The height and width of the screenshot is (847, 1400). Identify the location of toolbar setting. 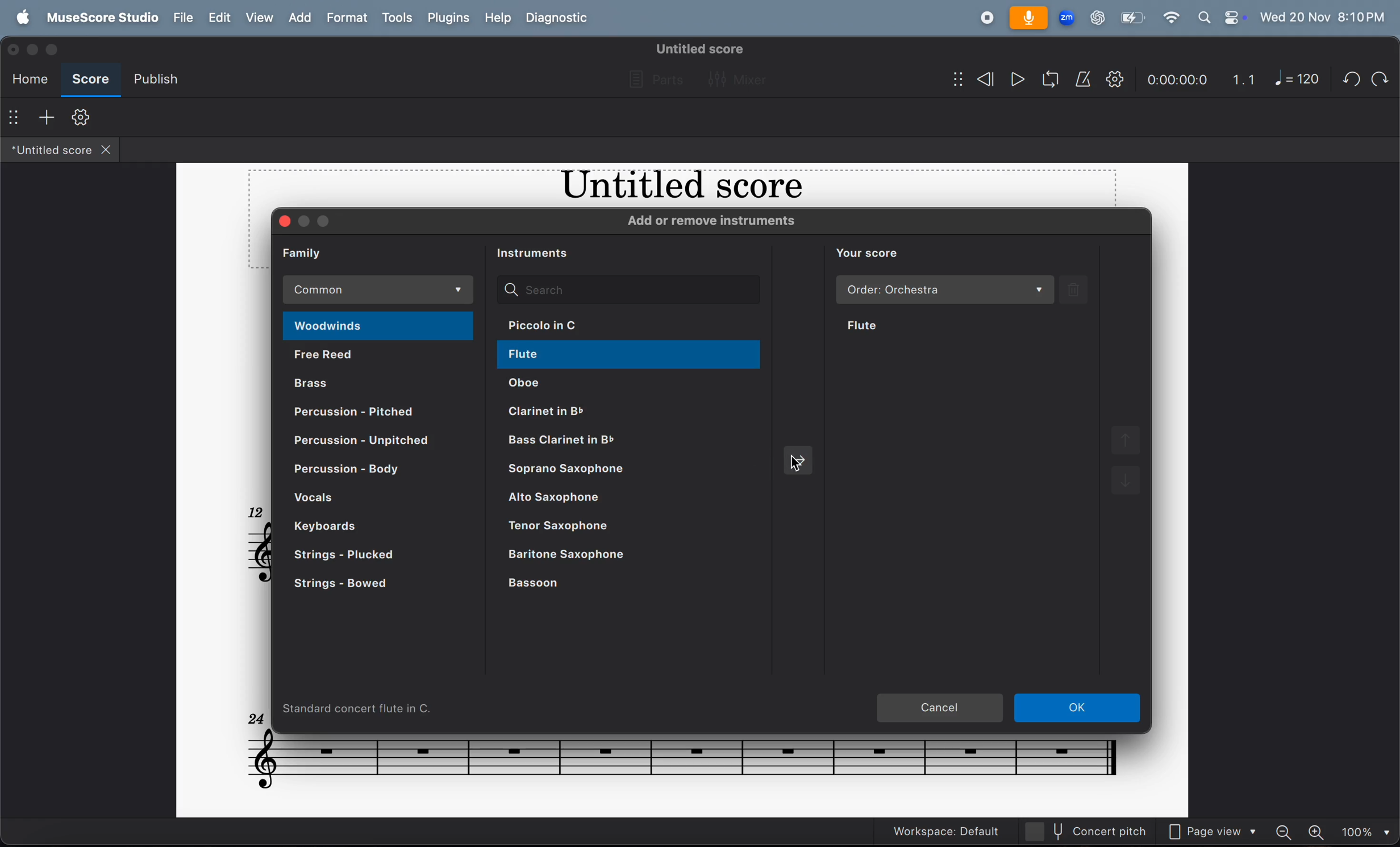
(81, 117).